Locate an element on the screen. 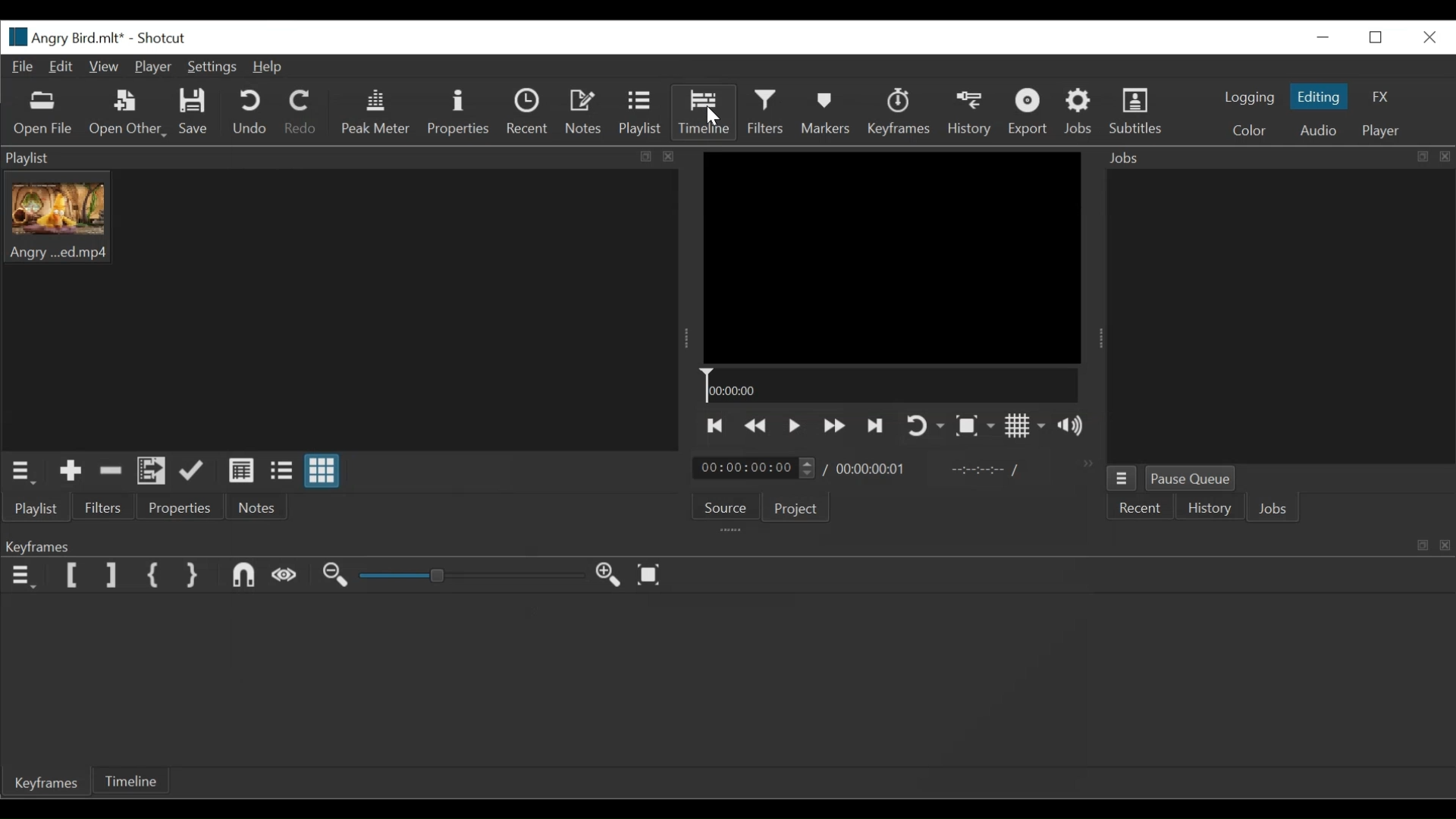 Image resolution: width=1456 pixels, height=819 pixels. History is located at coordinates (970, 113).